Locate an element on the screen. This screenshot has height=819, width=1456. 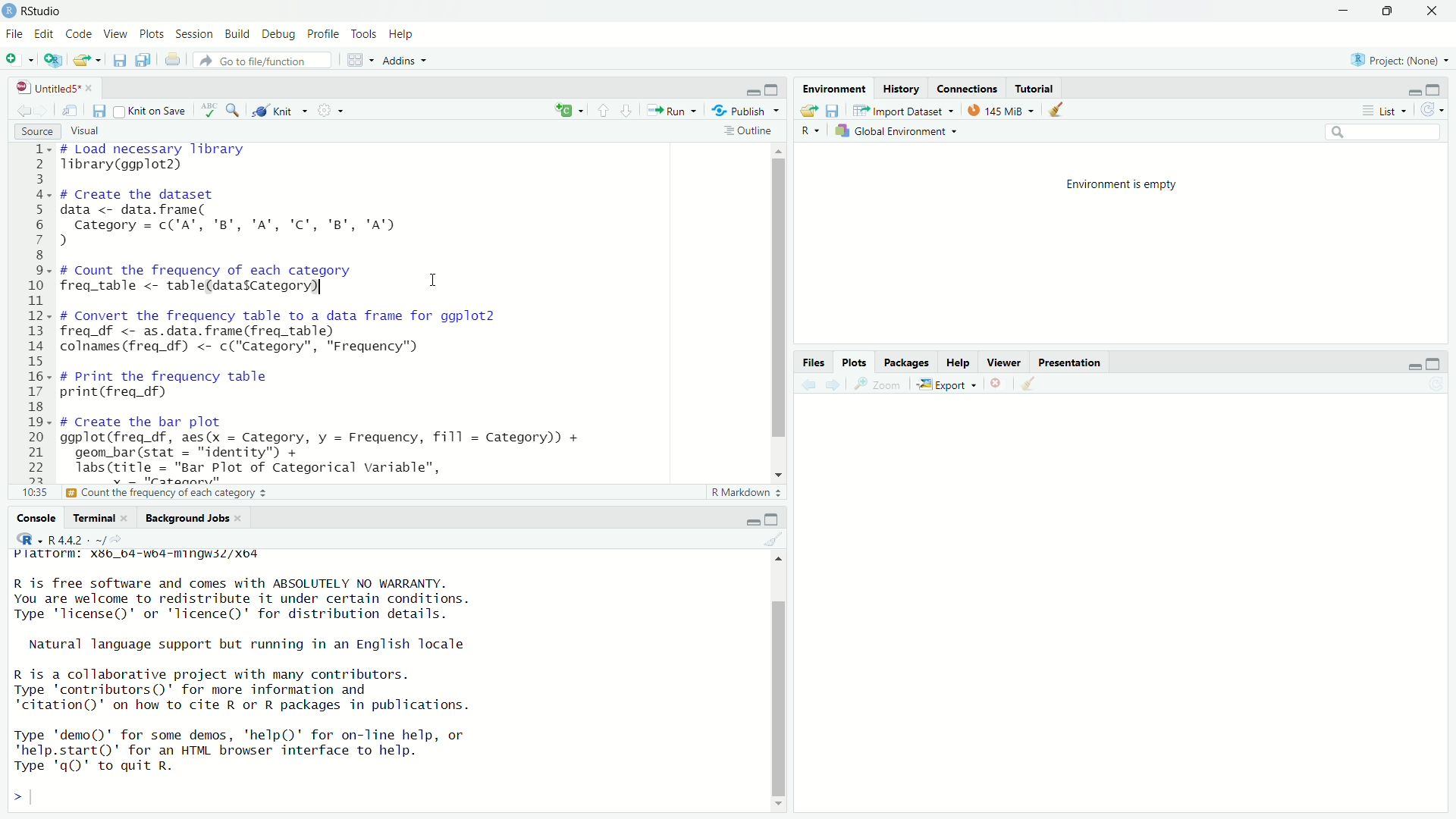
Global Environment is located at coordinates (893, 132).